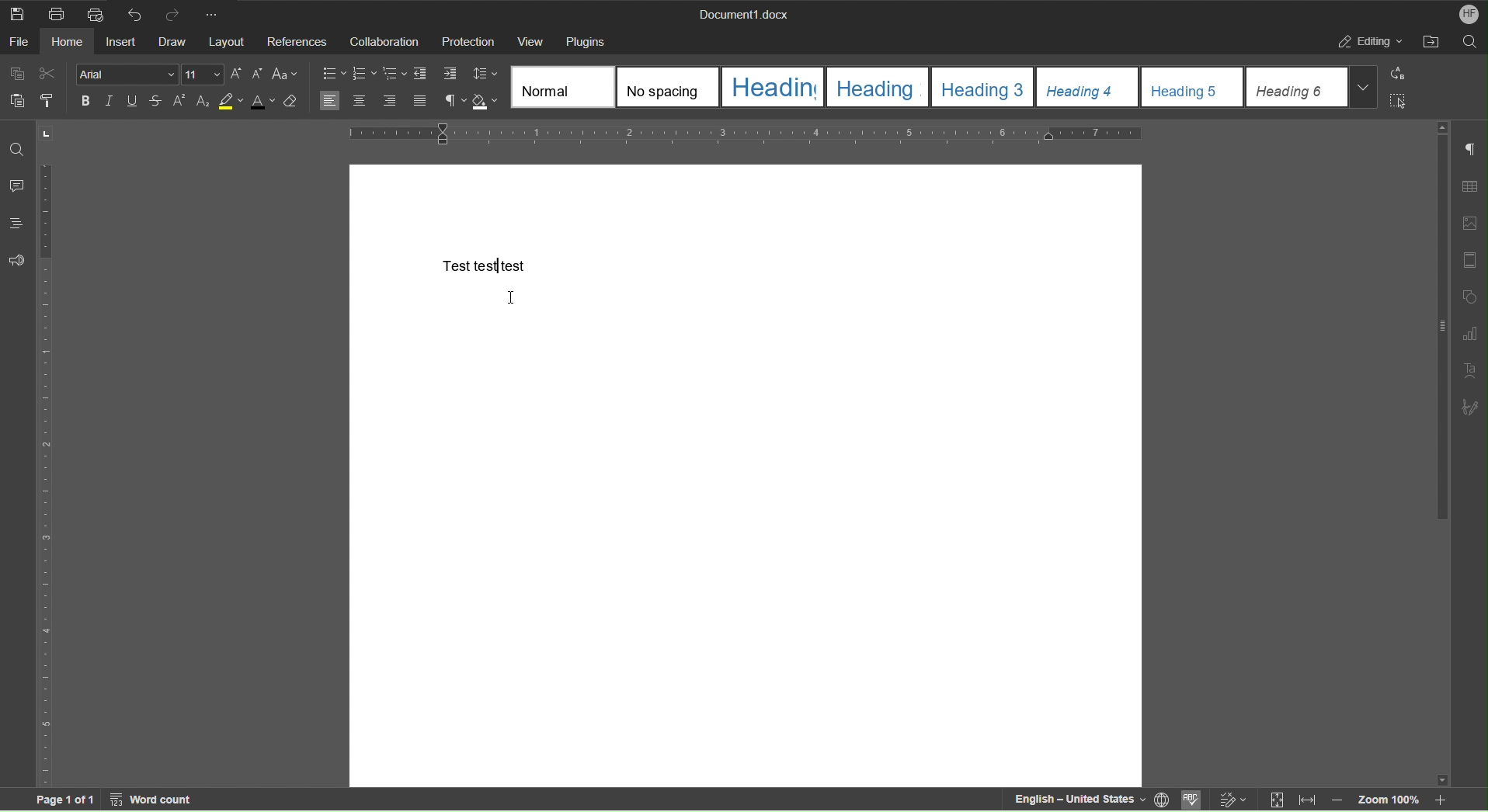  What do you see at coordinates (880, 87) in the screenshot?
I see `Heading 2` at bounding box center [880, 87].